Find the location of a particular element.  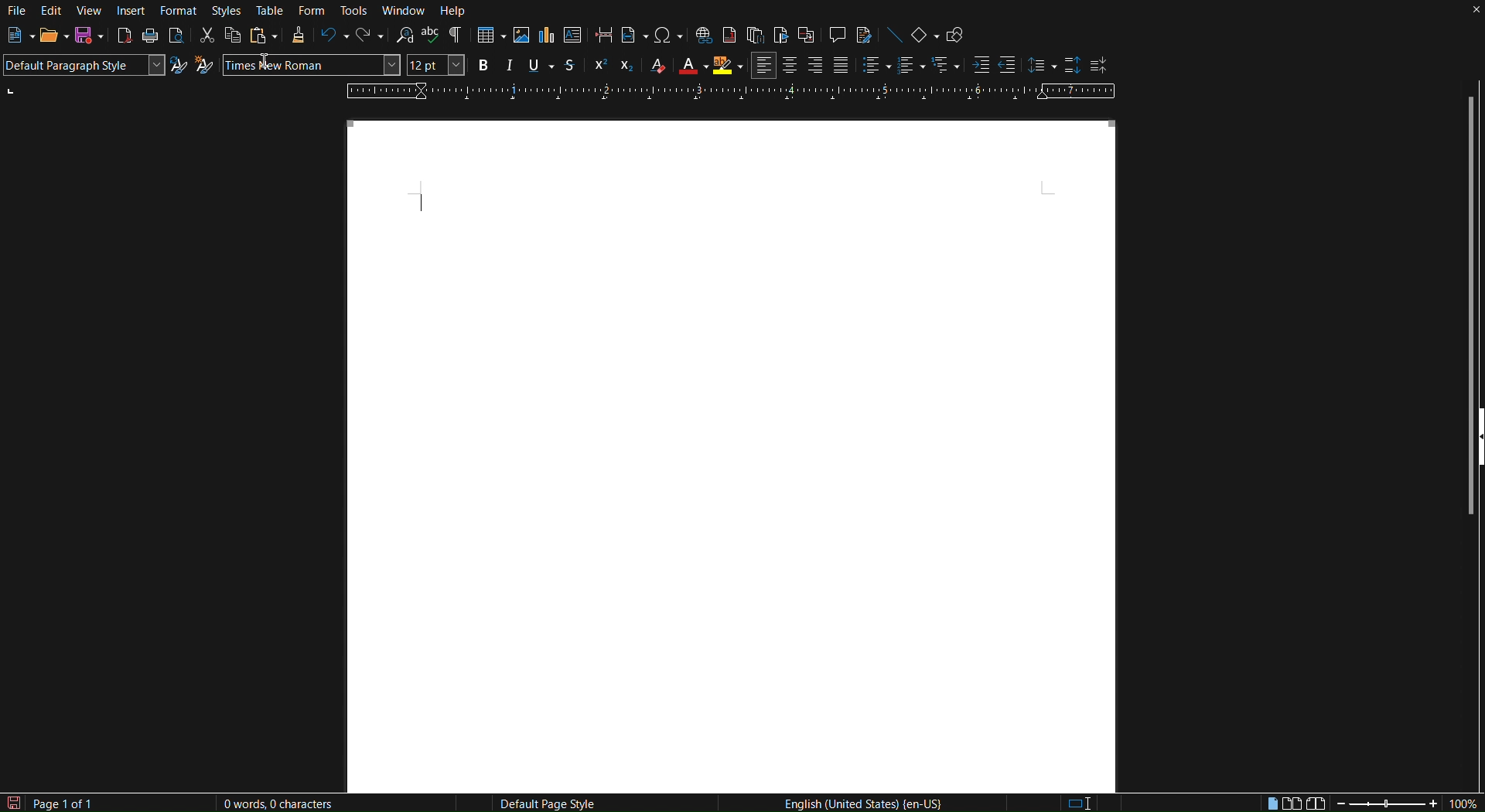

Font size - 12pt is located at coordinates (435, 65).